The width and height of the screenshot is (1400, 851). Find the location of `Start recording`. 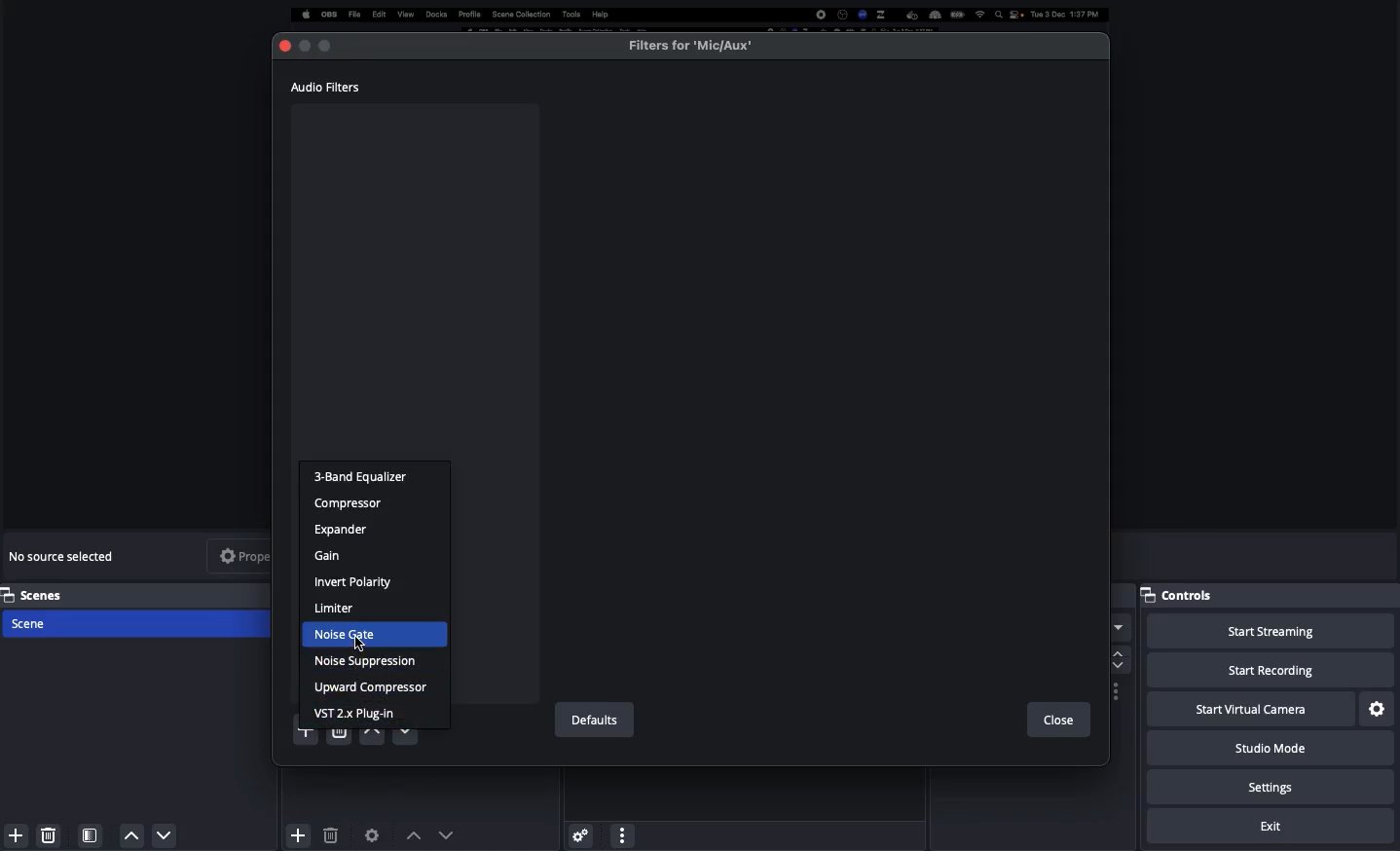

Start recording is located at coordinates (1271, 672).